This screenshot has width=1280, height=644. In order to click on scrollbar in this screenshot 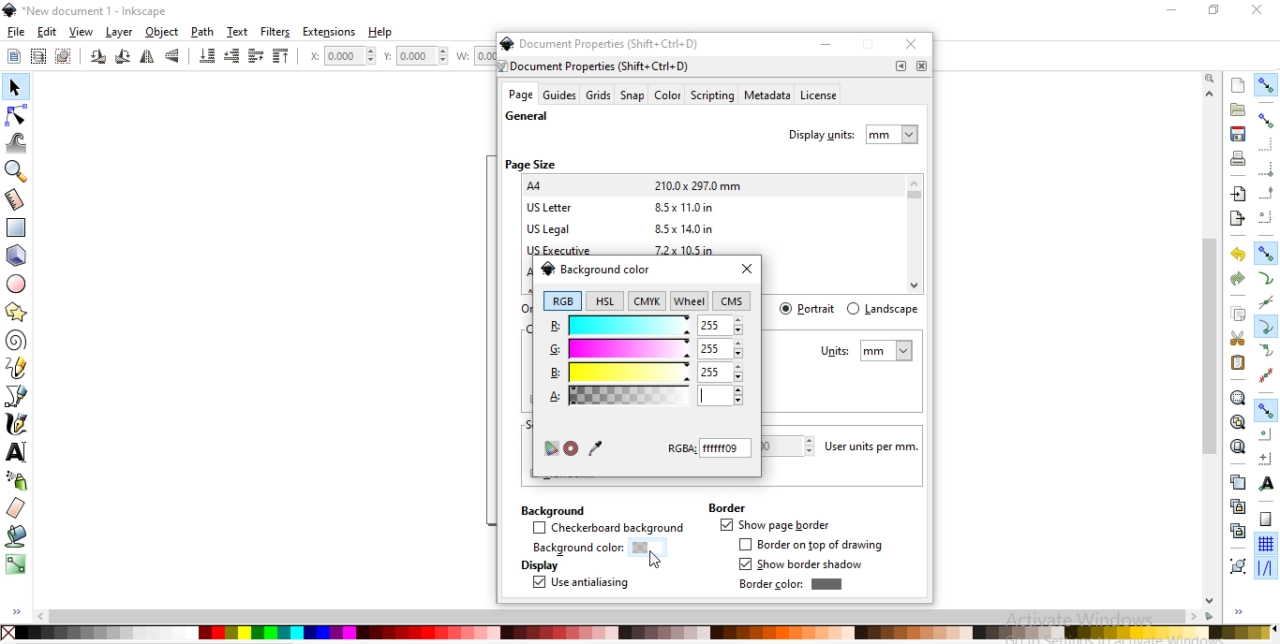, I will do `click(1211, 398)`.